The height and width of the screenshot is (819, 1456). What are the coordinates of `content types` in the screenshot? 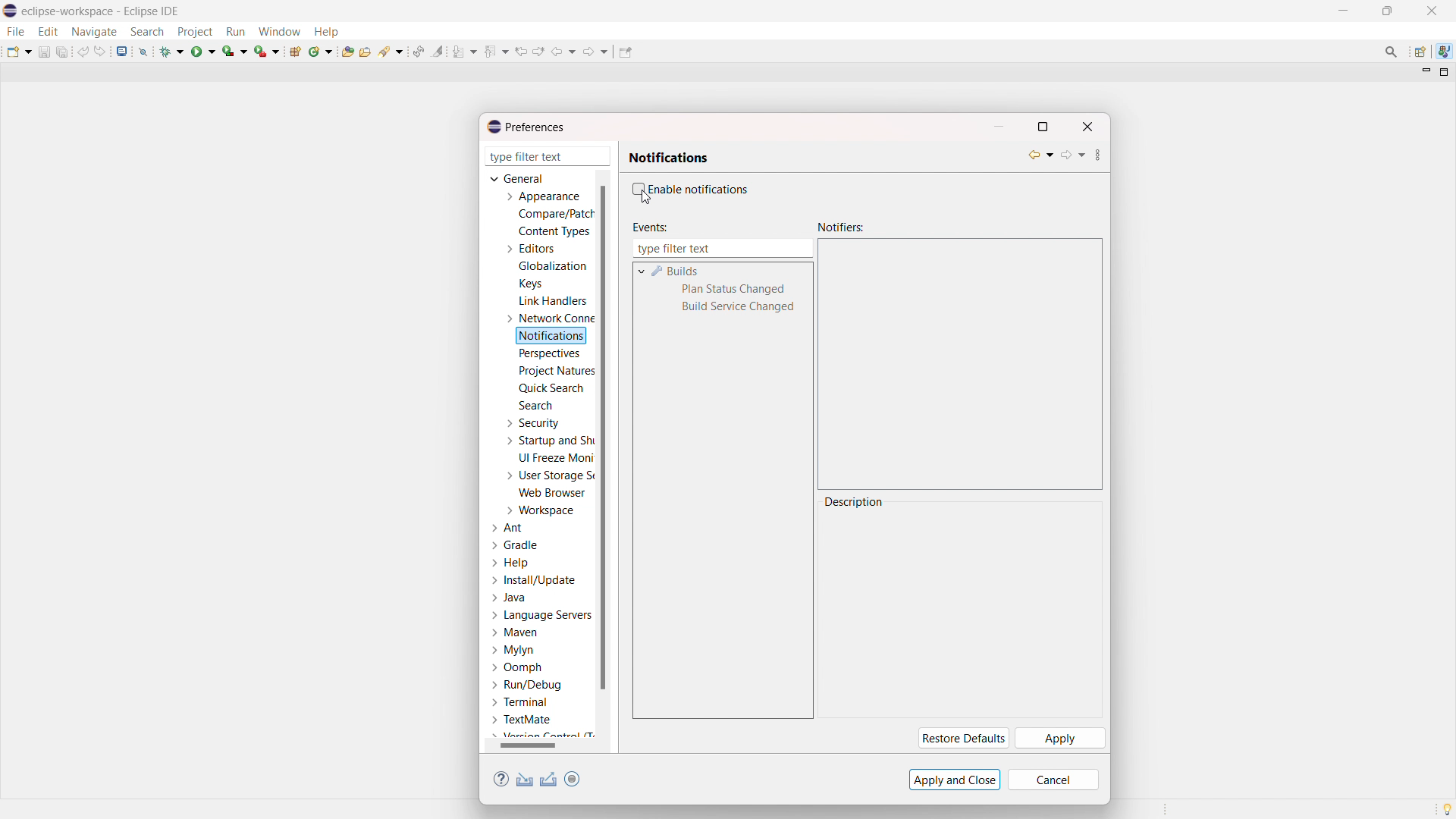 It's located at (555, 231).